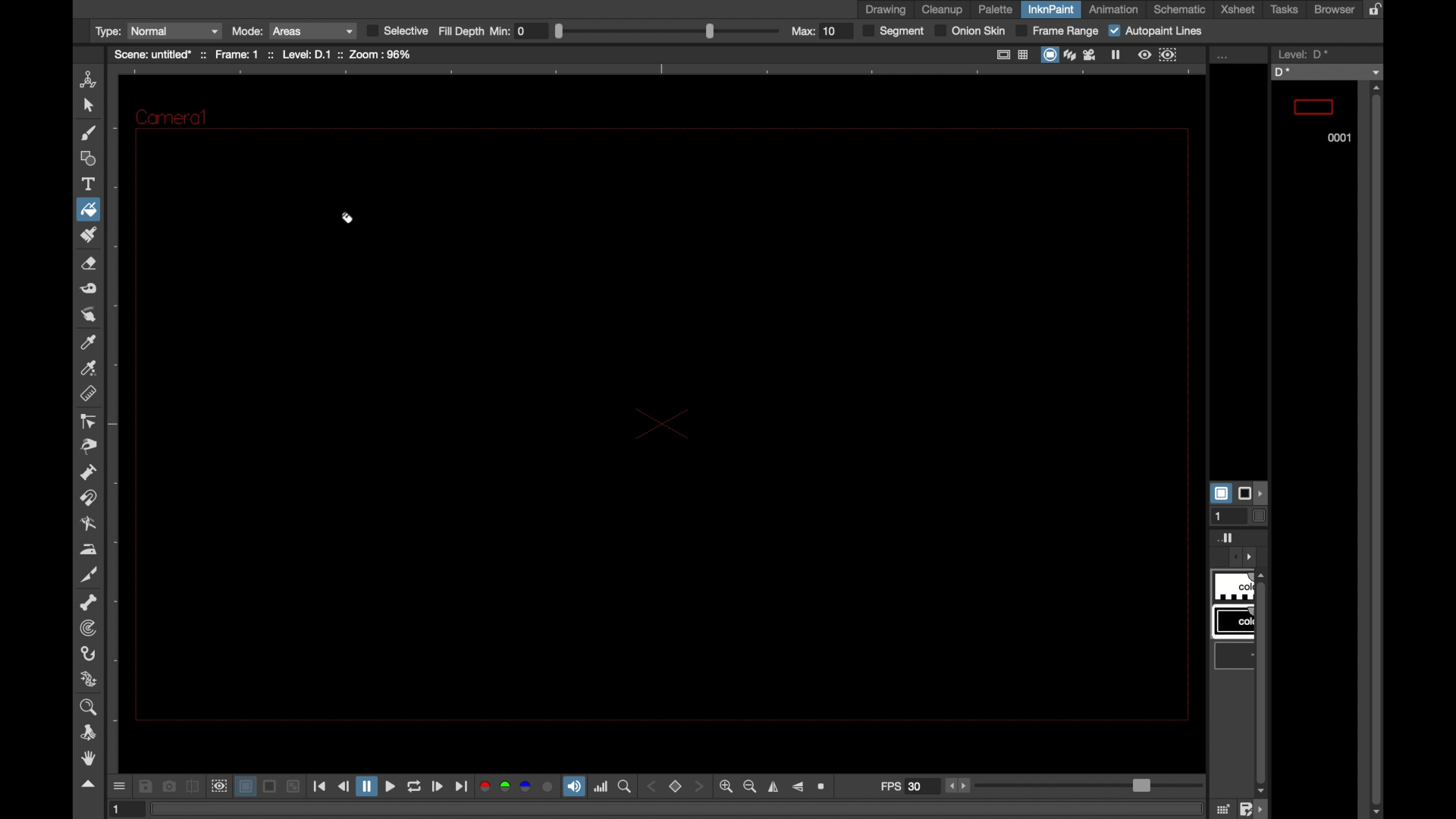 This screenshot has width=1456, height=819. Describe the element at coordinates (322, 786) in the screenshot. I see `first frame` at that location.